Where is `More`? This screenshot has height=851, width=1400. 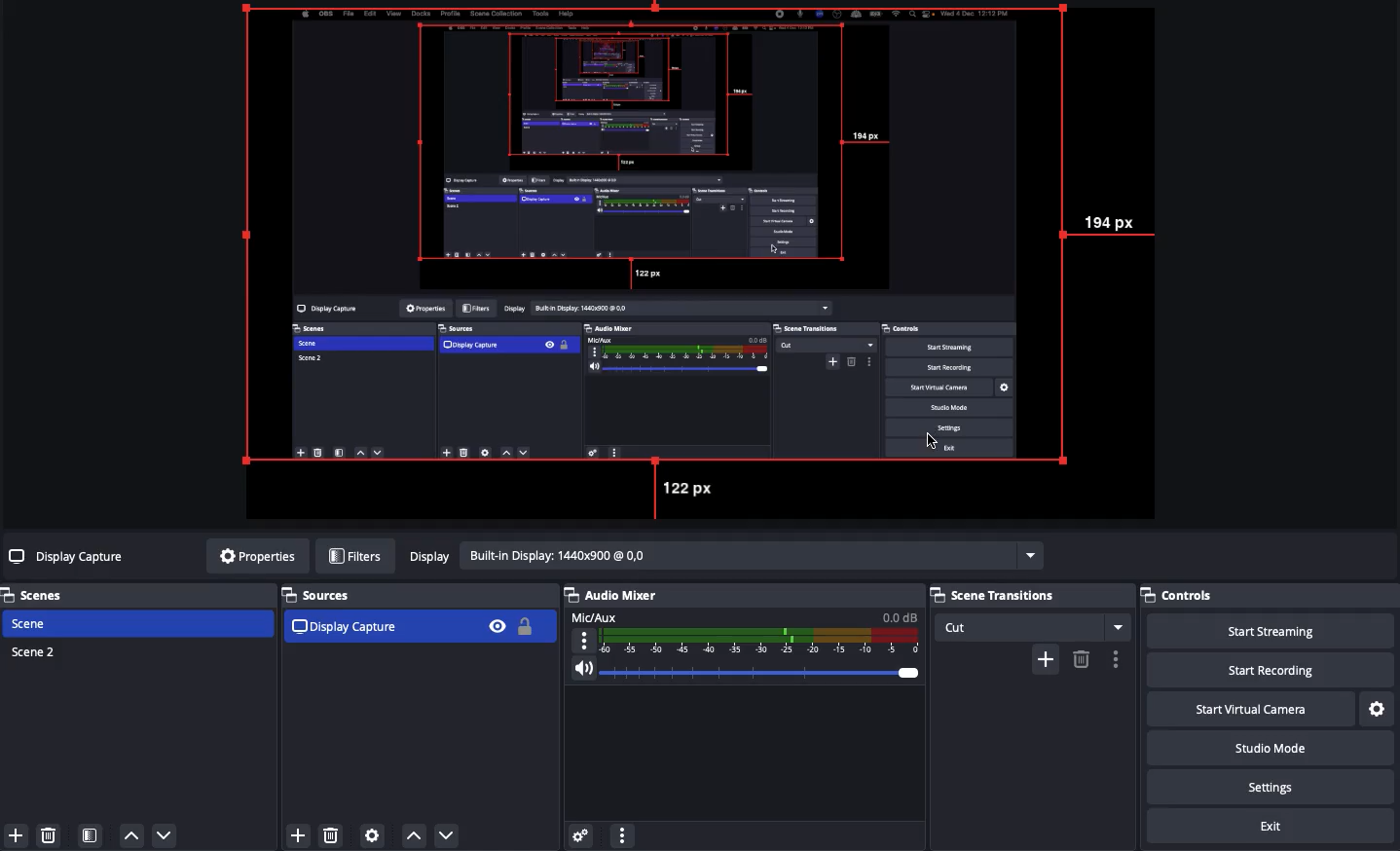 More is located at coordinates (1116, 659).